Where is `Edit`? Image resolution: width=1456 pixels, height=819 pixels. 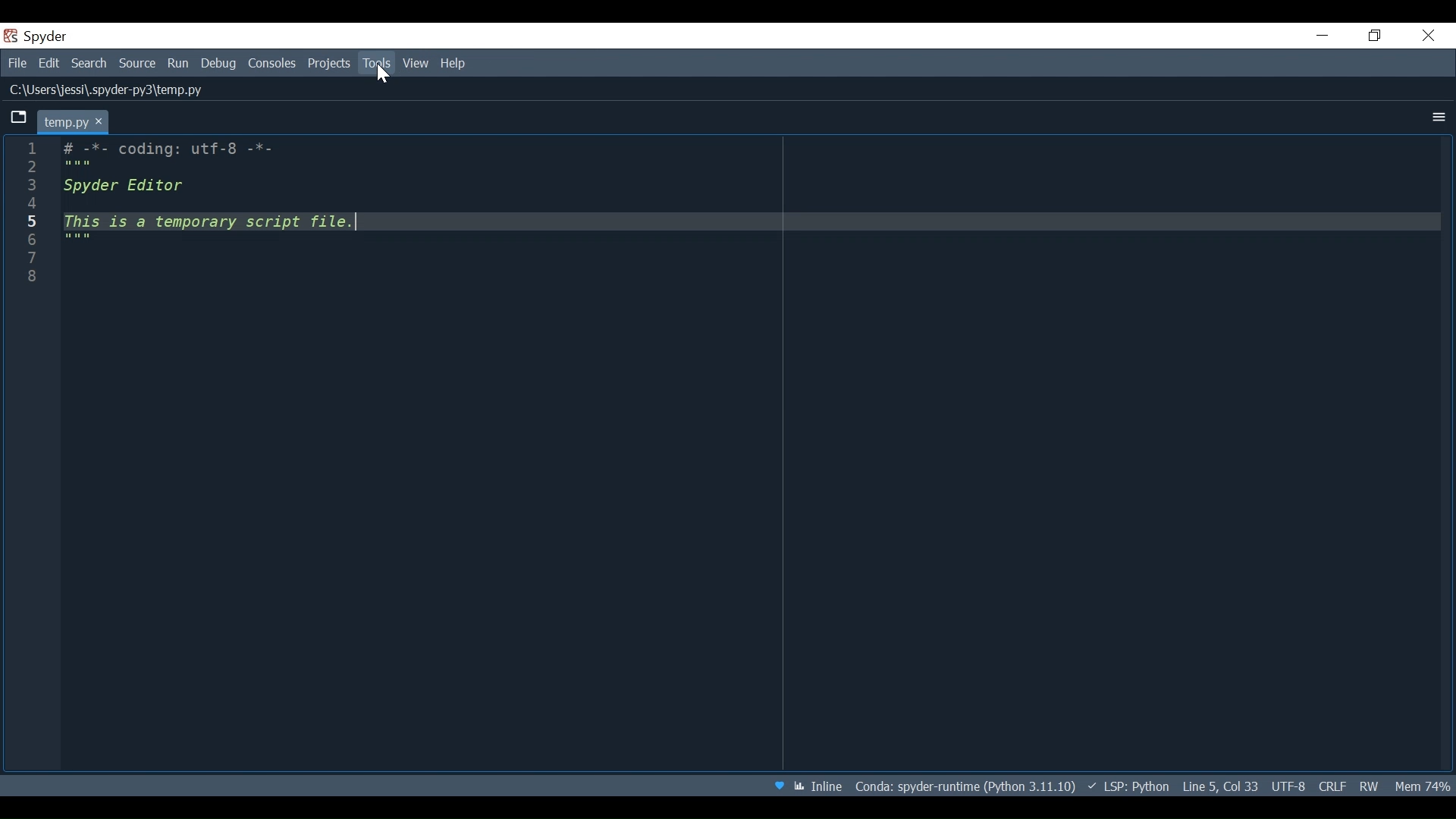 Edit is located at coordinates (49, 64).